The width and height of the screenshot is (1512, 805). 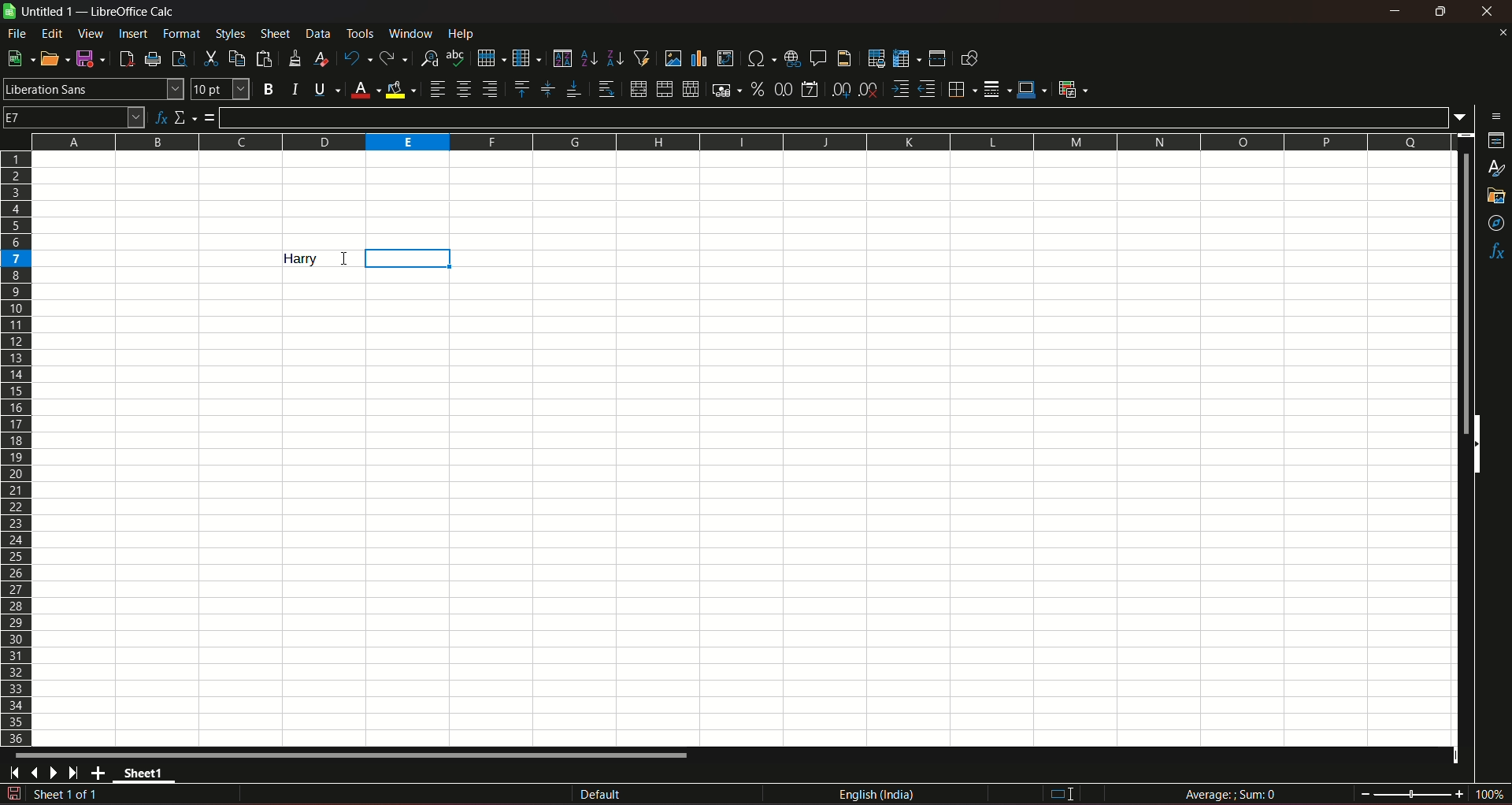 I want to click on show draw functions, so click(x=969, y=57).